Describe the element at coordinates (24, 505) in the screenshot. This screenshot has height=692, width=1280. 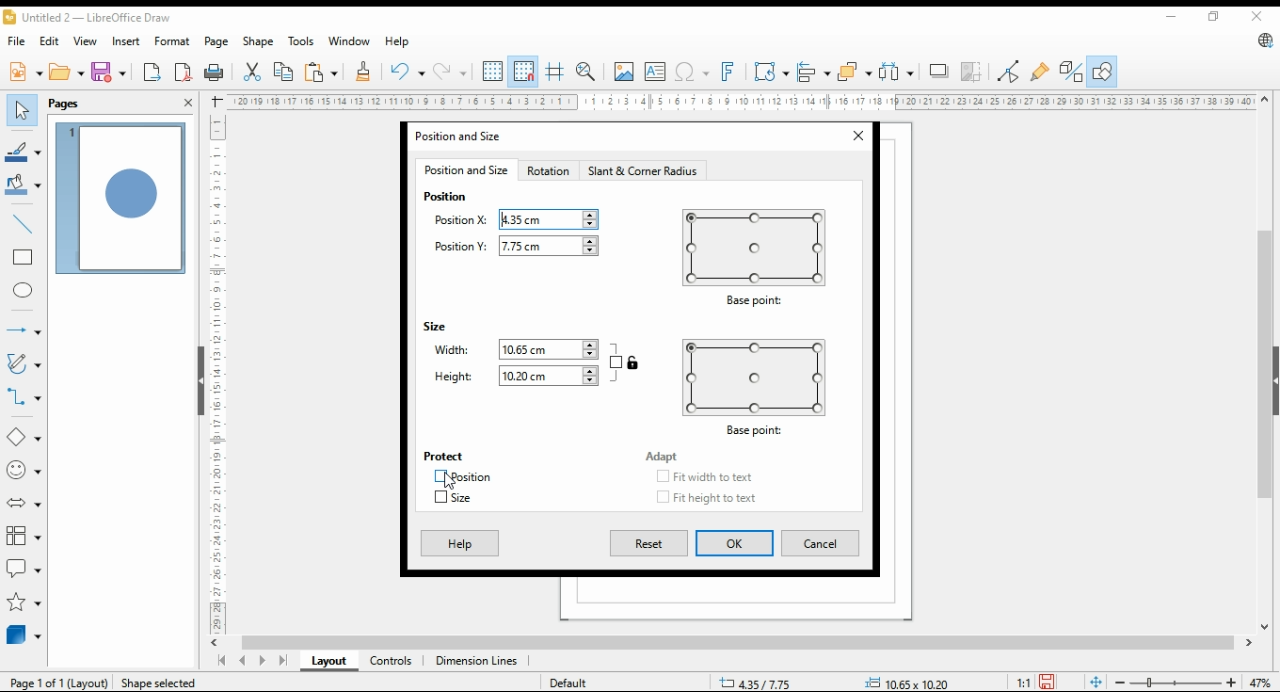
I see `block arrow` at that location.